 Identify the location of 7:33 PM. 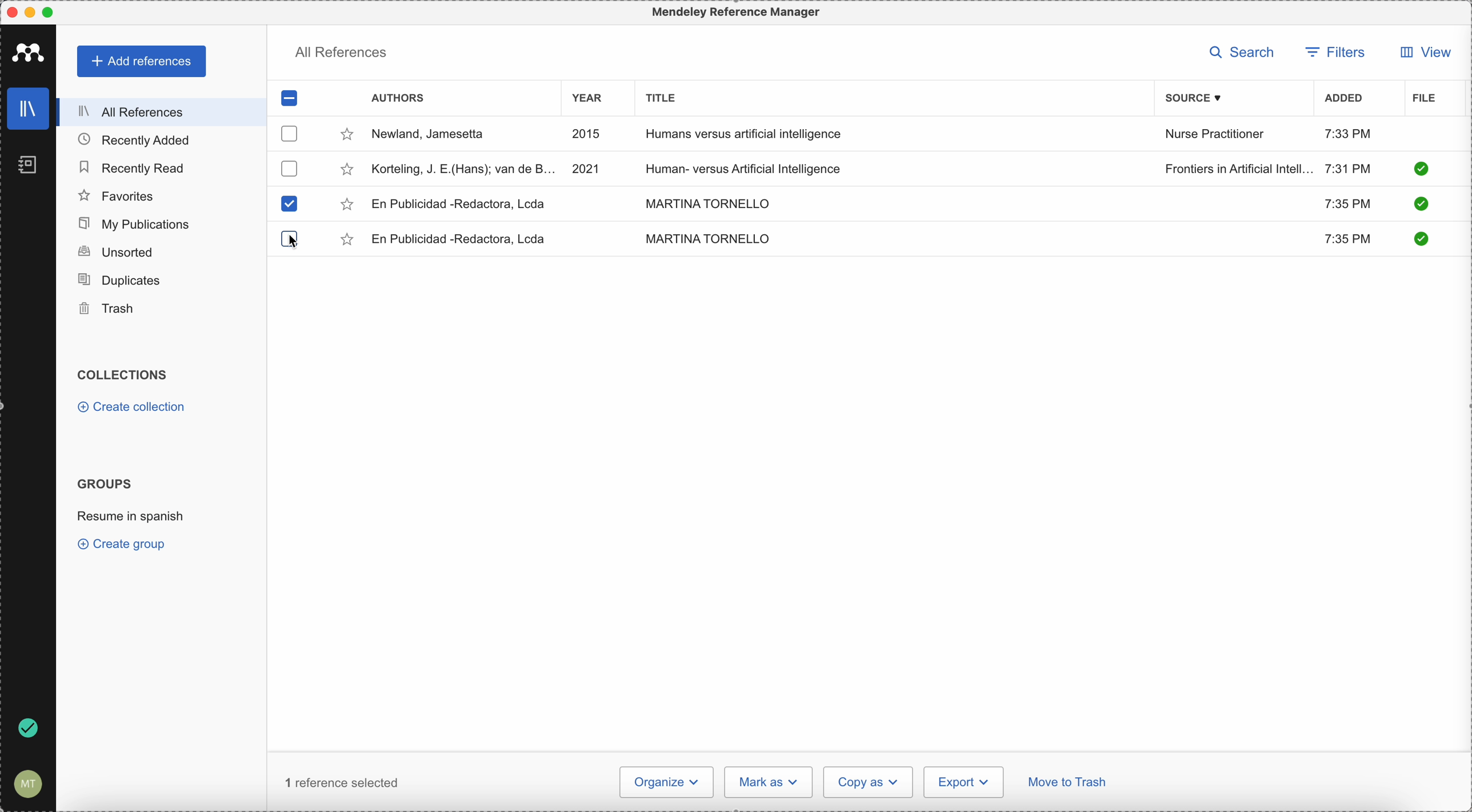
(1348, 133).